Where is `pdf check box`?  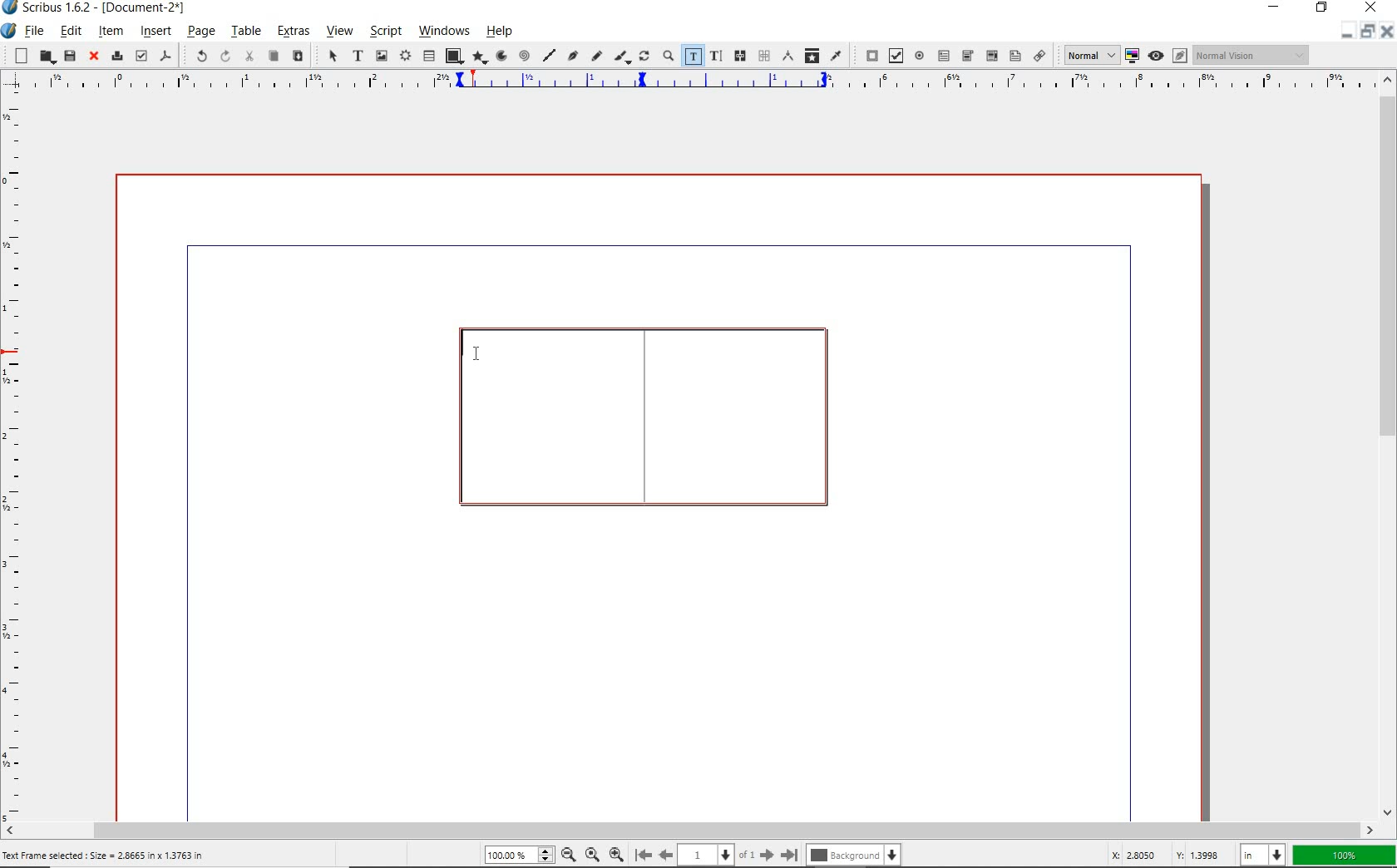 pdf check box is located at coordinates (893, 55).